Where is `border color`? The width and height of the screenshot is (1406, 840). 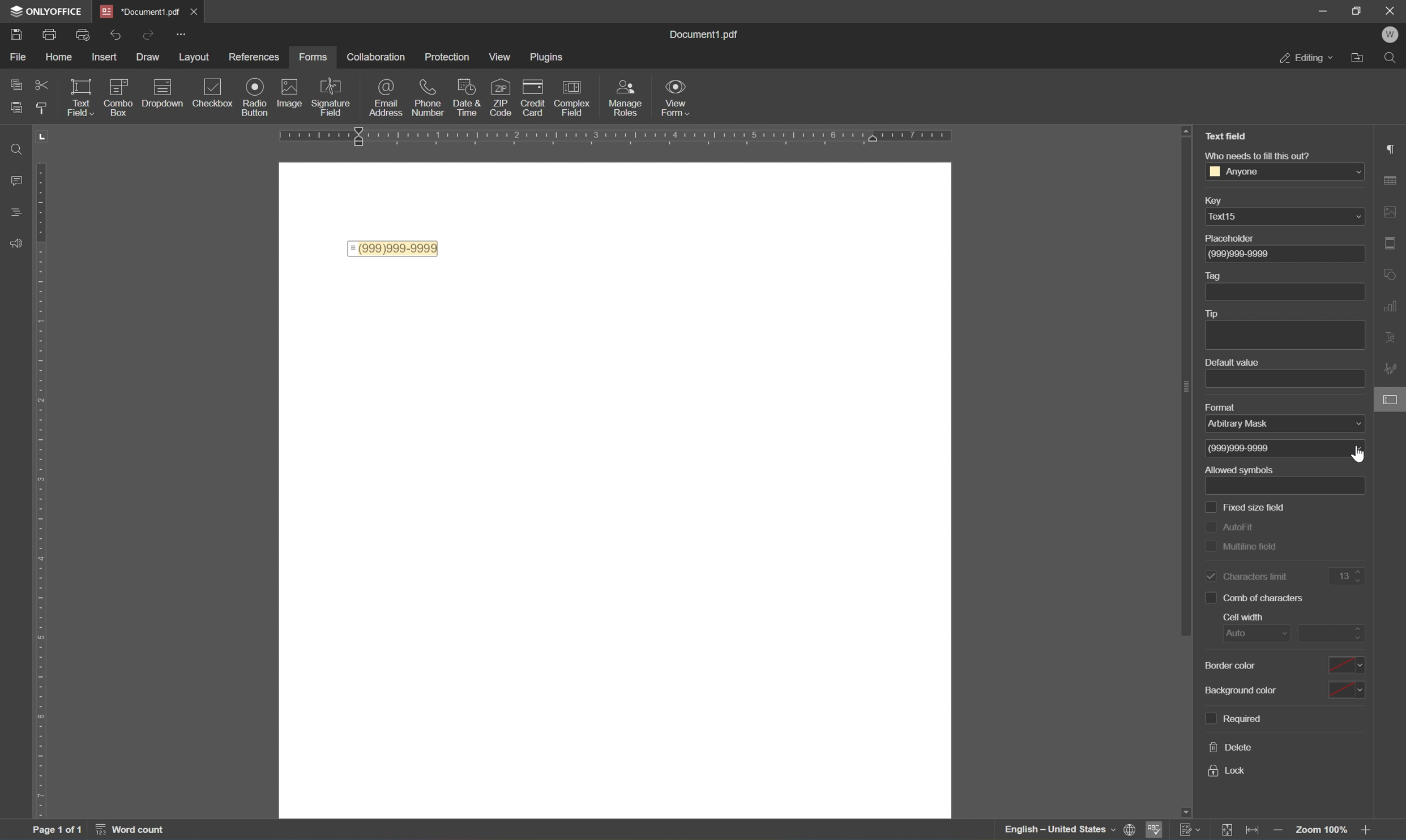 border color is located at coordinates (1281, 666).